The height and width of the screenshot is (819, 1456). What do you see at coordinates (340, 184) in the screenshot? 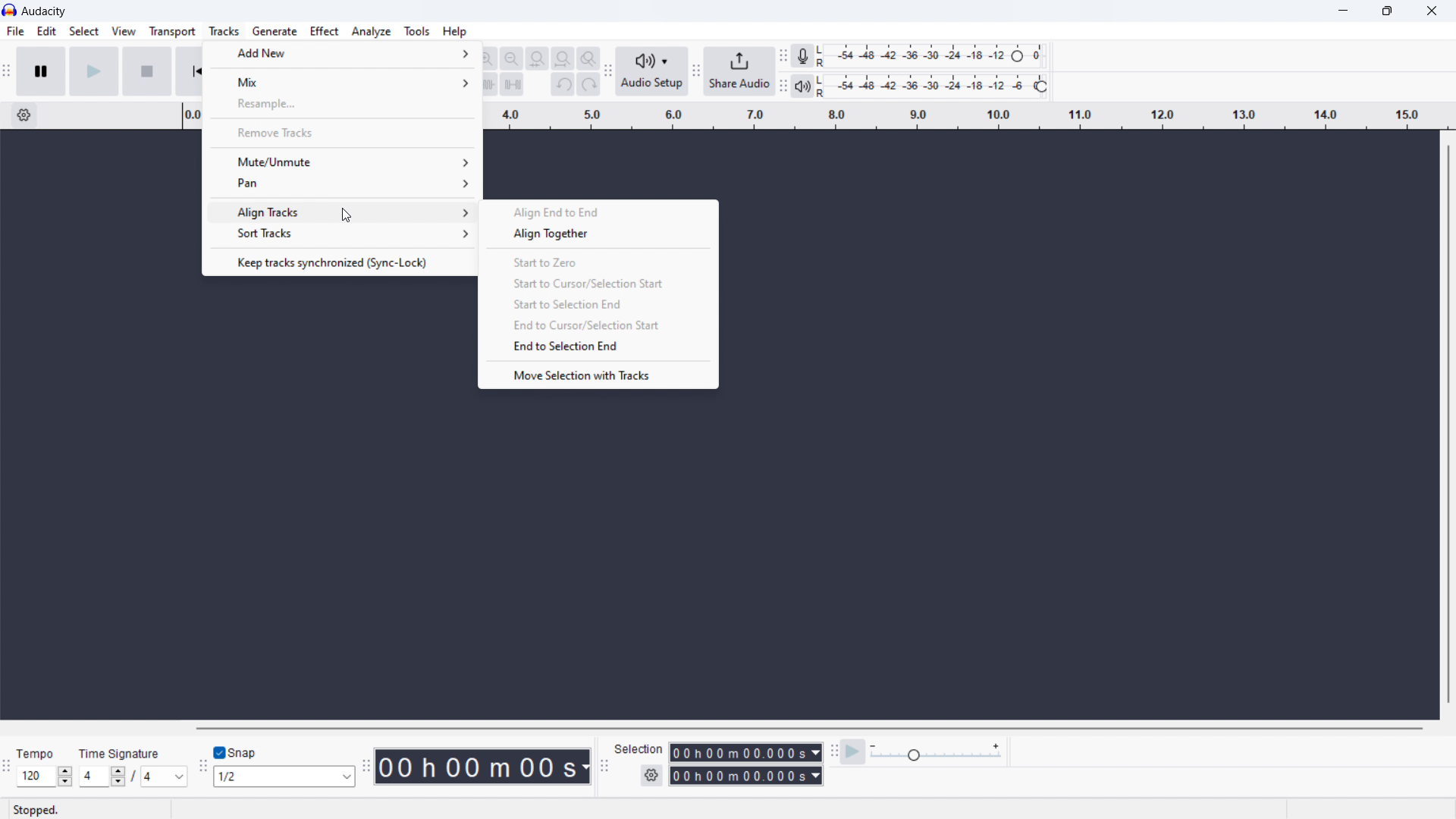
I see `pan` at bounding box center [340, 184].